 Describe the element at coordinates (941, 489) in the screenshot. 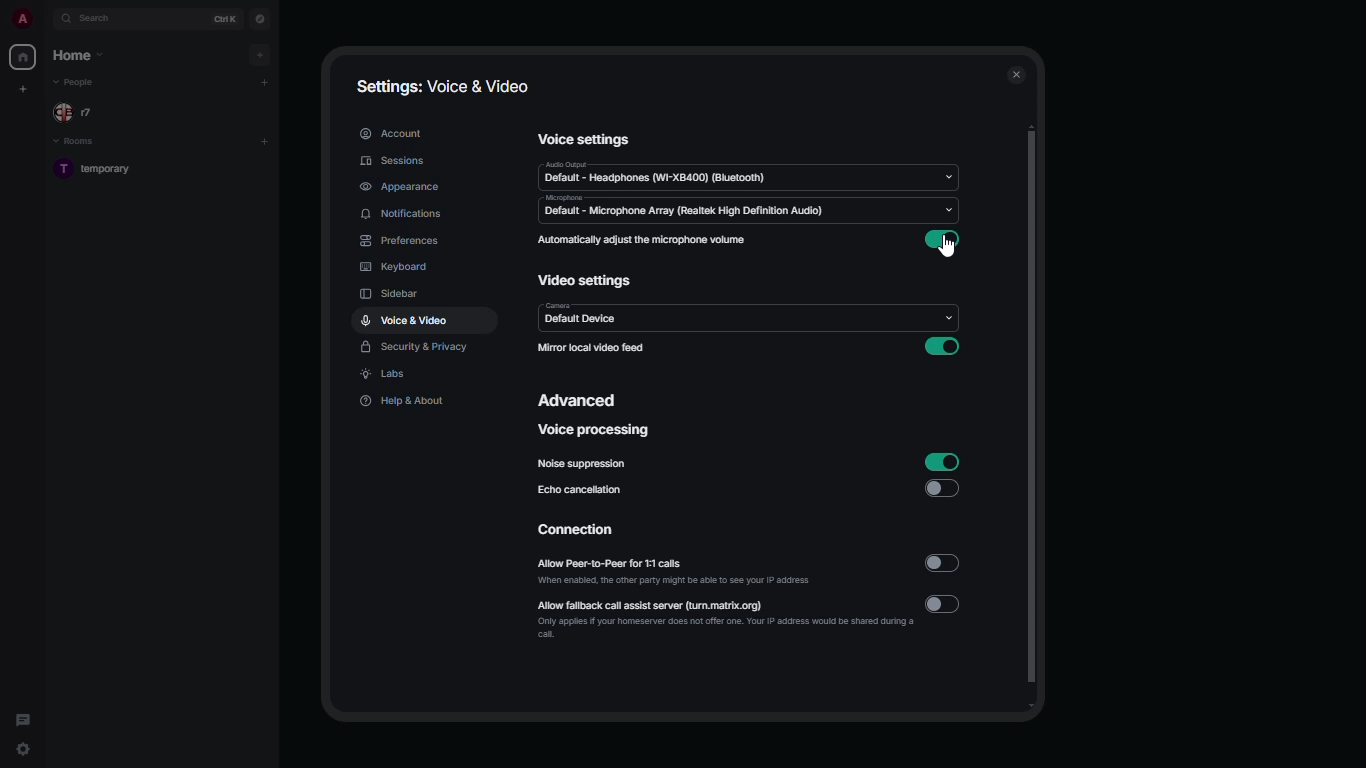

I see `disabled` at that location.